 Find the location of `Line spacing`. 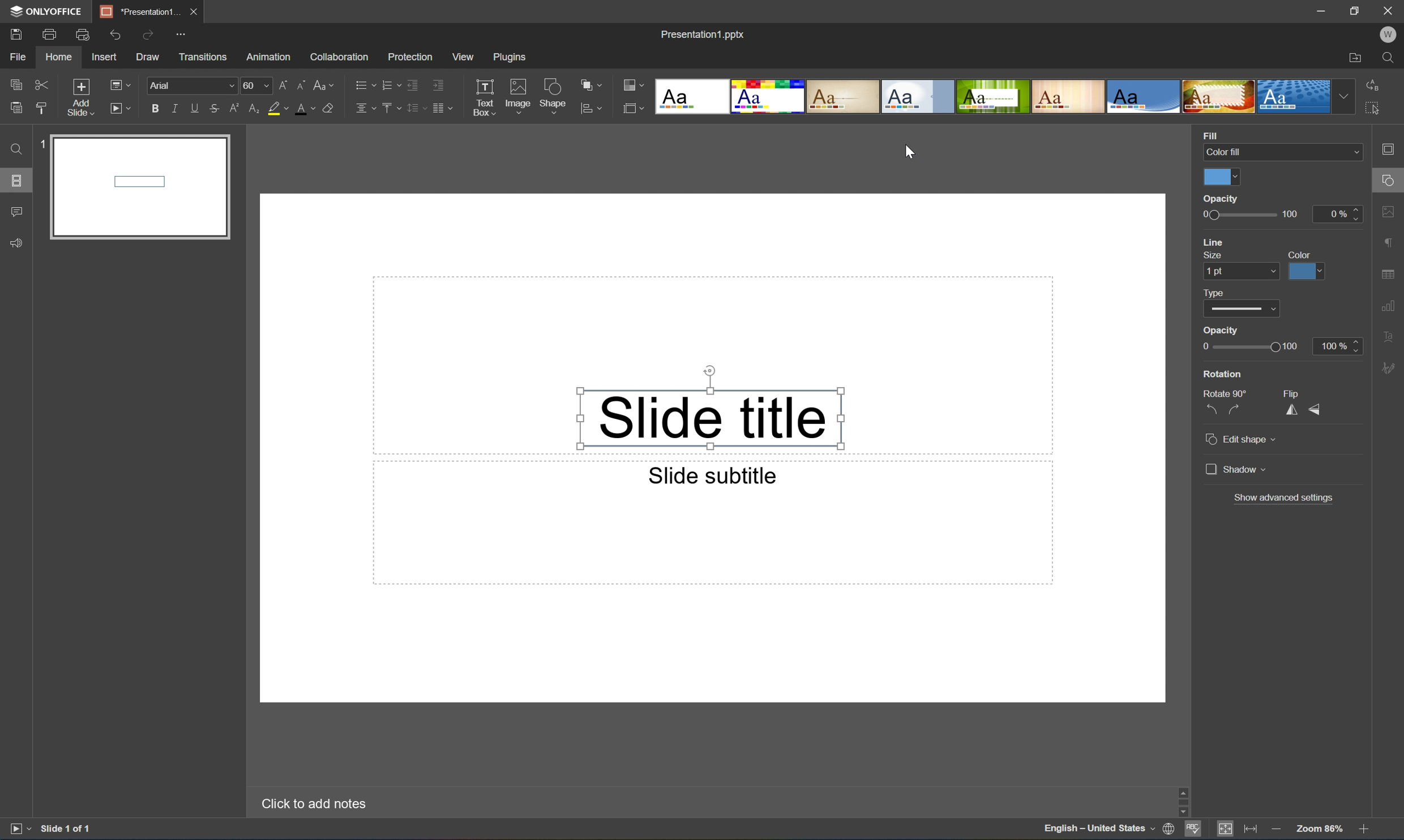

Line spacing is located at coordinates (415, 109).